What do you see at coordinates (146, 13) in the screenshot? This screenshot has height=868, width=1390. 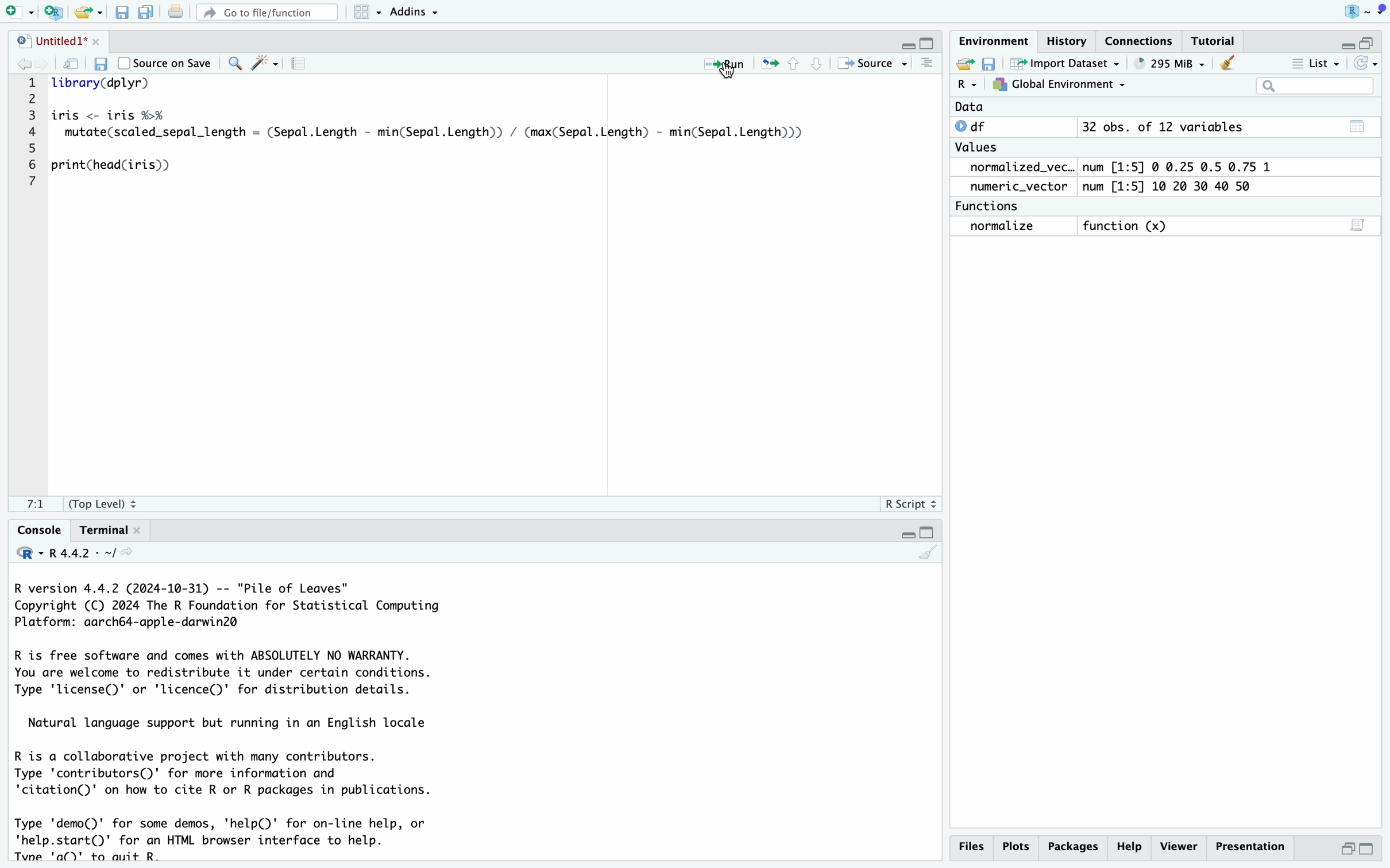 I see `Save As` at bounding box center [146, 13].